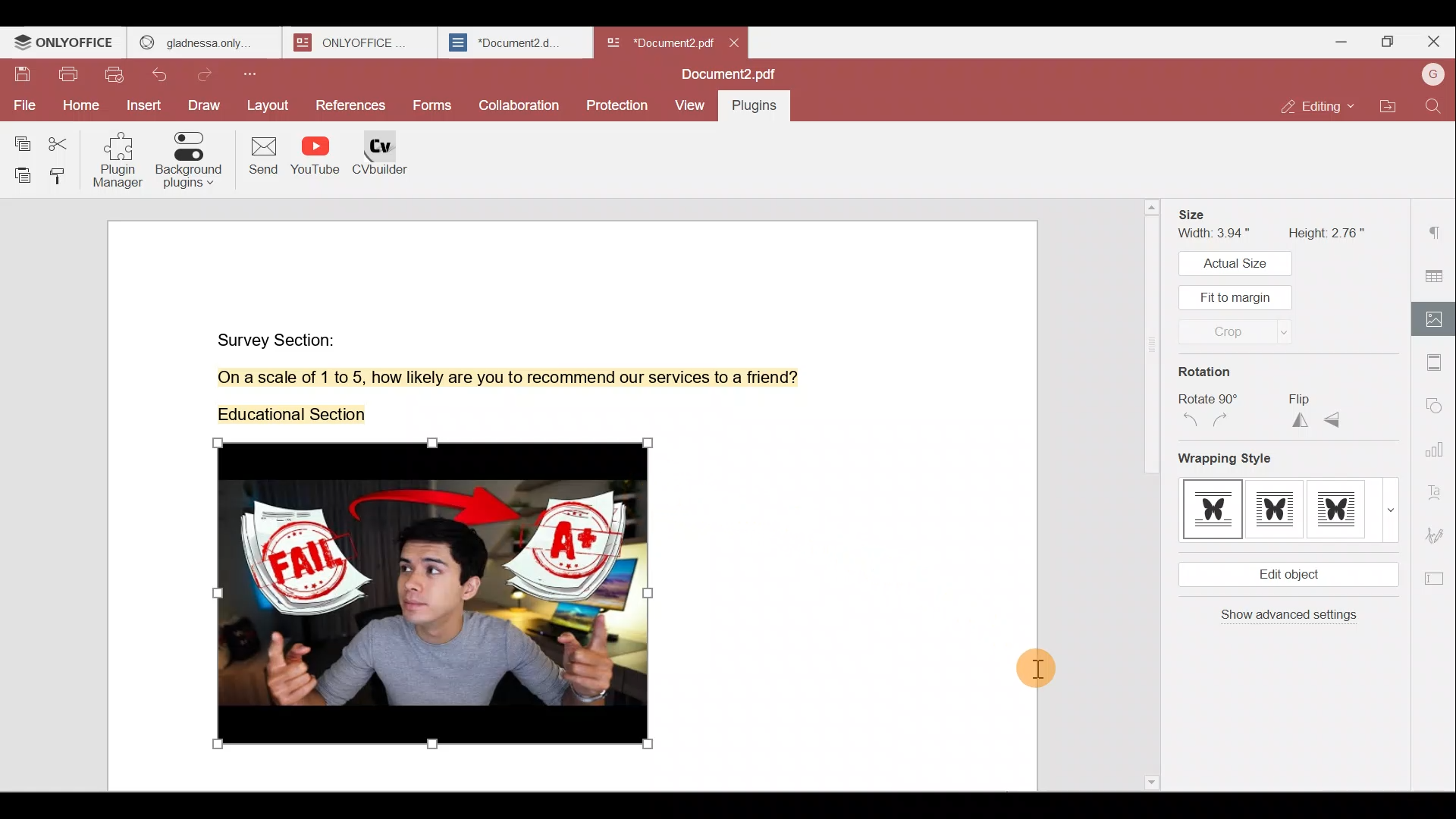  I want to click on Redo, so click(209, 75).